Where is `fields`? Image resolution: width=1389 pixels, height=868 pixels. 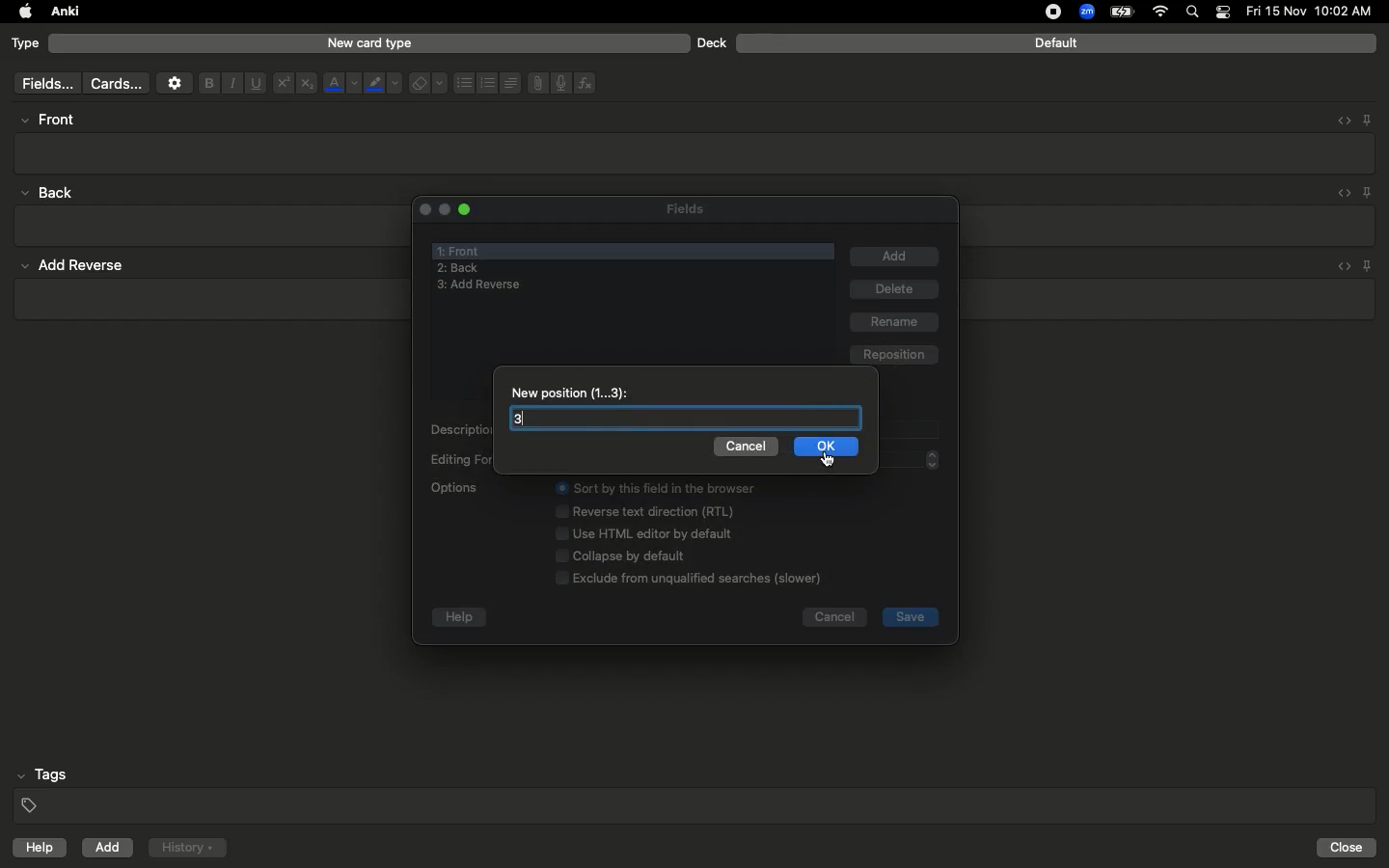
fields is located at coordinates (42, 84).